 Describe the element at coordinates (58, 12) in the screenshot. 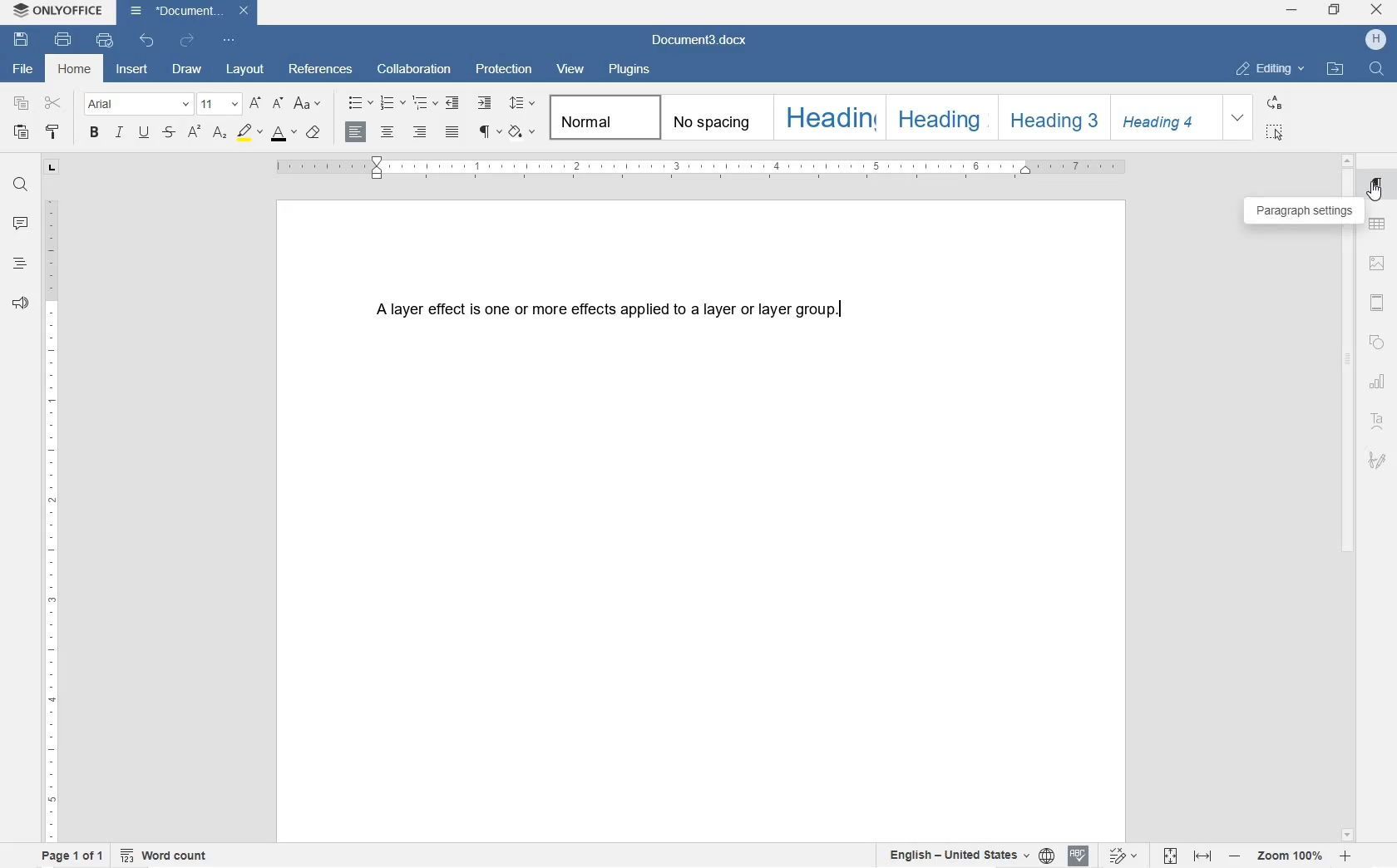

I see `SYSTEM NAME` at that location.